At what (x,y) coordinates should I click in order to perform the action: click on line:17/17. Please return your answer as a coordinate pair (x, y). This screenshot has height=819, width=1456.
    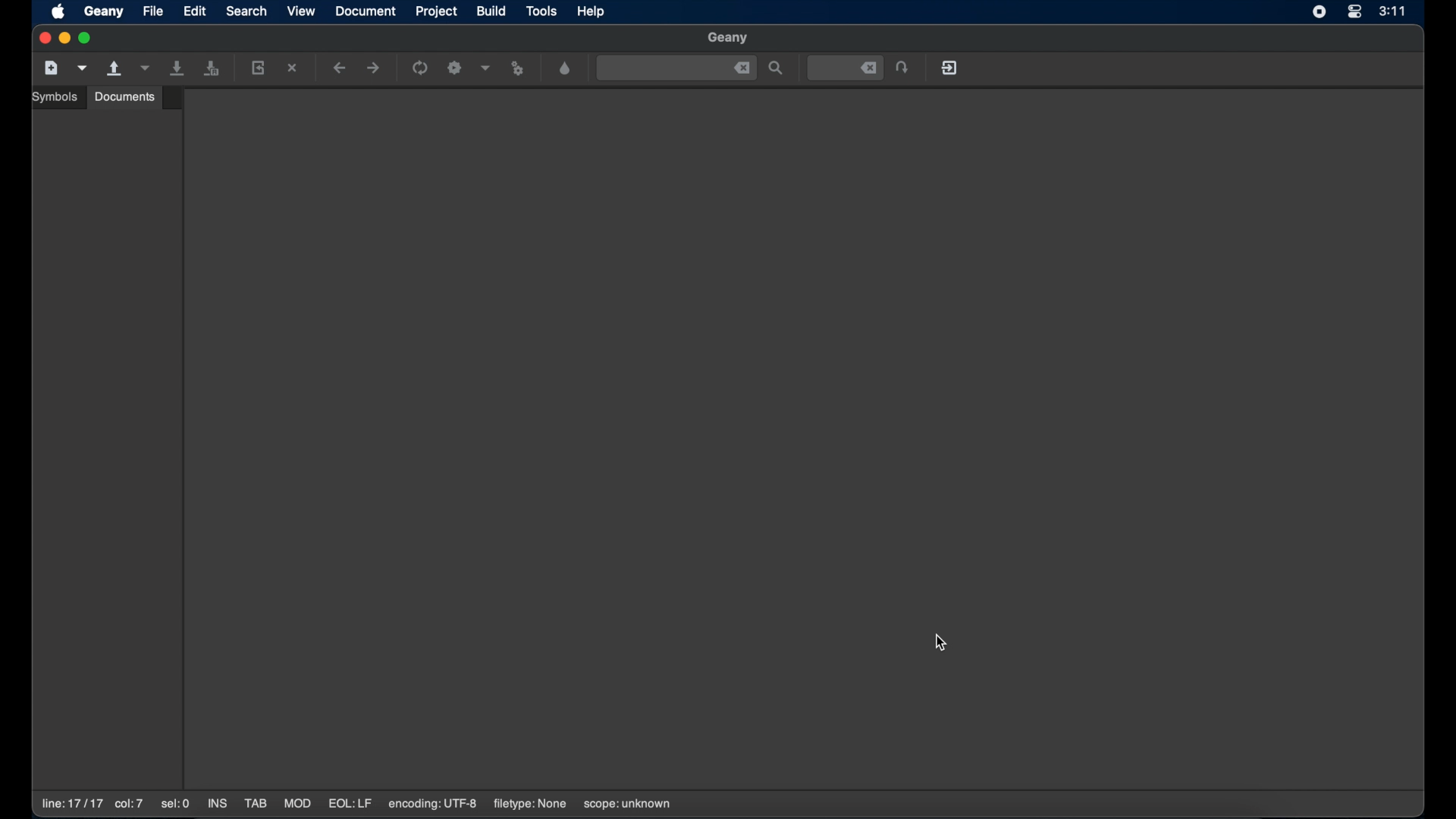
    Looking at the image, I should click on (71, 804).